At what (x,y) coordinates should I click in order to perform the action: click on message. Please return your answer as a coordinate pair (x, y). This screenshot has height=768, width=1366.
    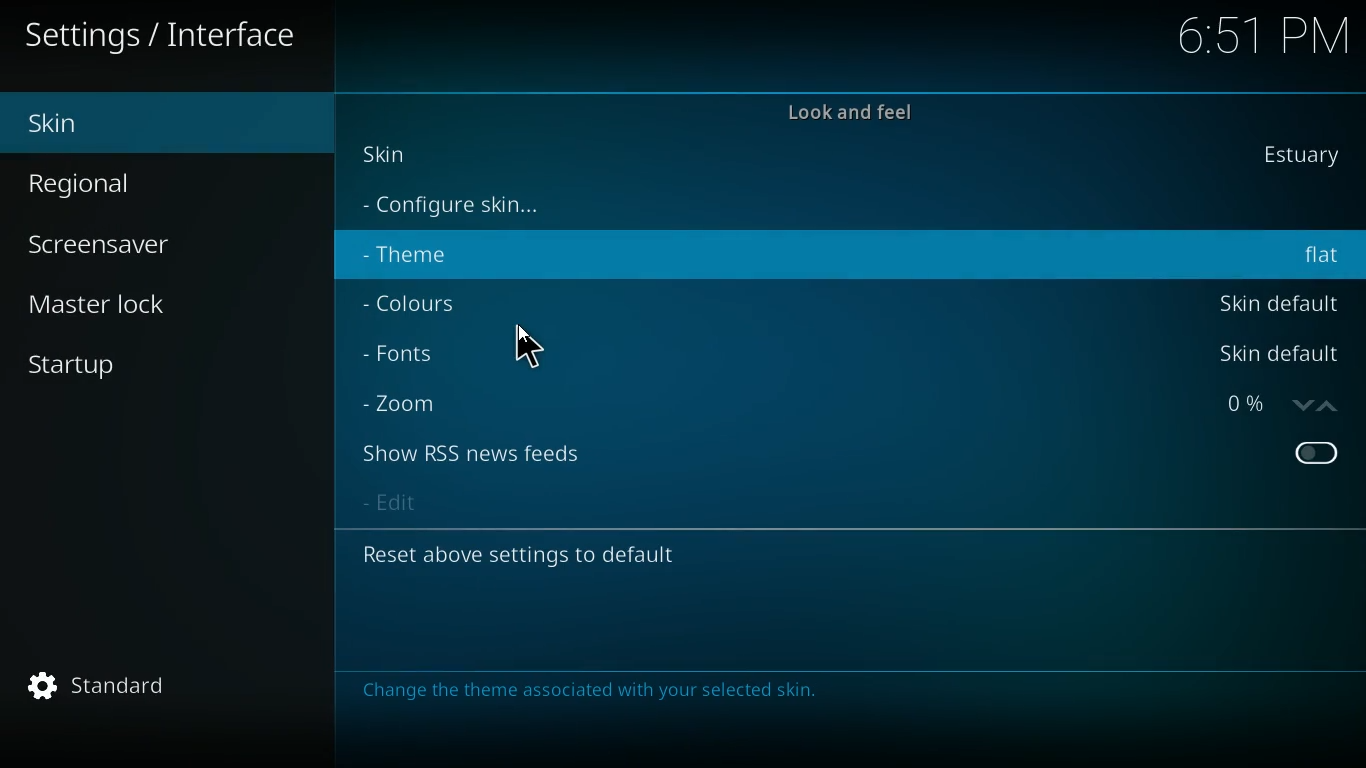
    Looking at the image, I should click on (588, 689).